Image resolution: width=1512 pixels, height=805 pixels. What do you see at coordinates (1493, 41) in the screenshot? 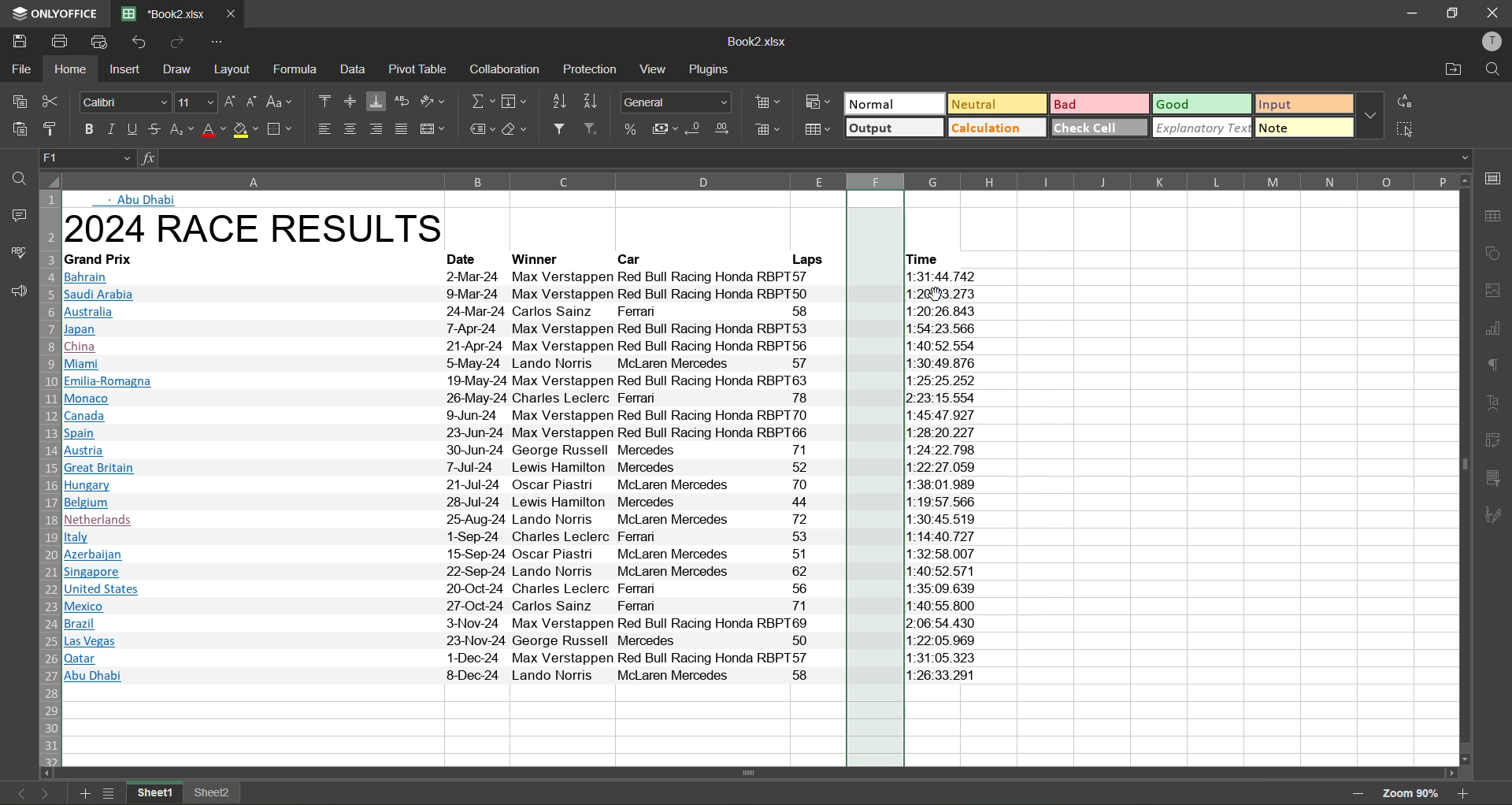
I see `profile` at bounding box center [1493, 41].